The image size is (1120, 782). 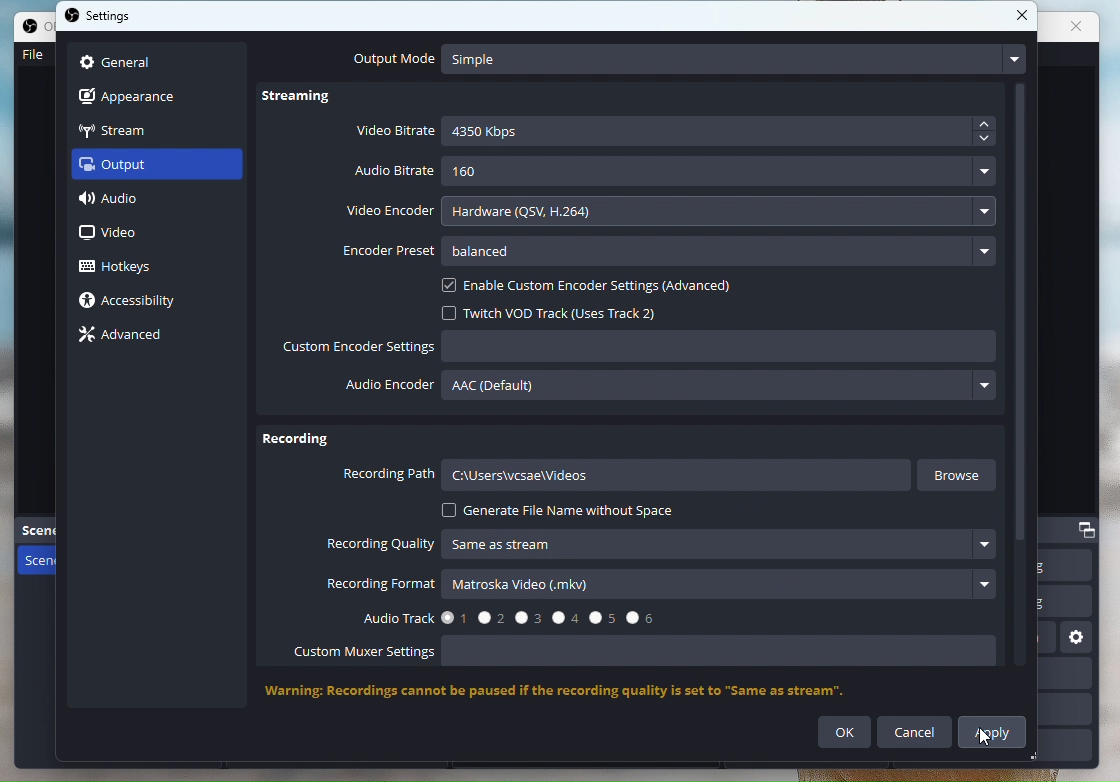 What do you see at coordinates (666, 545) in the screenshot?
I see `Recording quality` at bounding box center [666, 545].